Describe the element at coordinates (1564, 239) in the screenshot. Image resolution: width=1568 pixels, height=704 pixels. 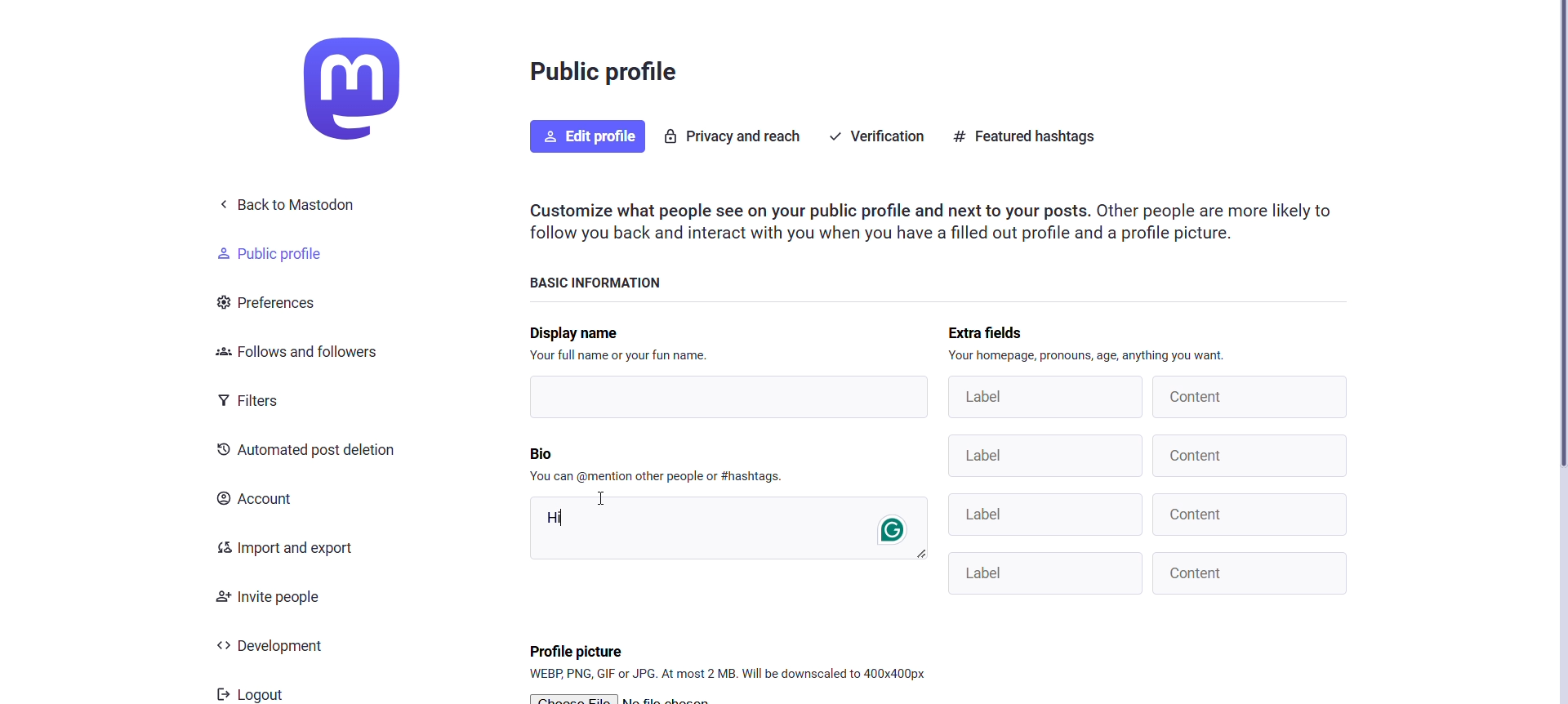
I see `scroll bar` at that location.